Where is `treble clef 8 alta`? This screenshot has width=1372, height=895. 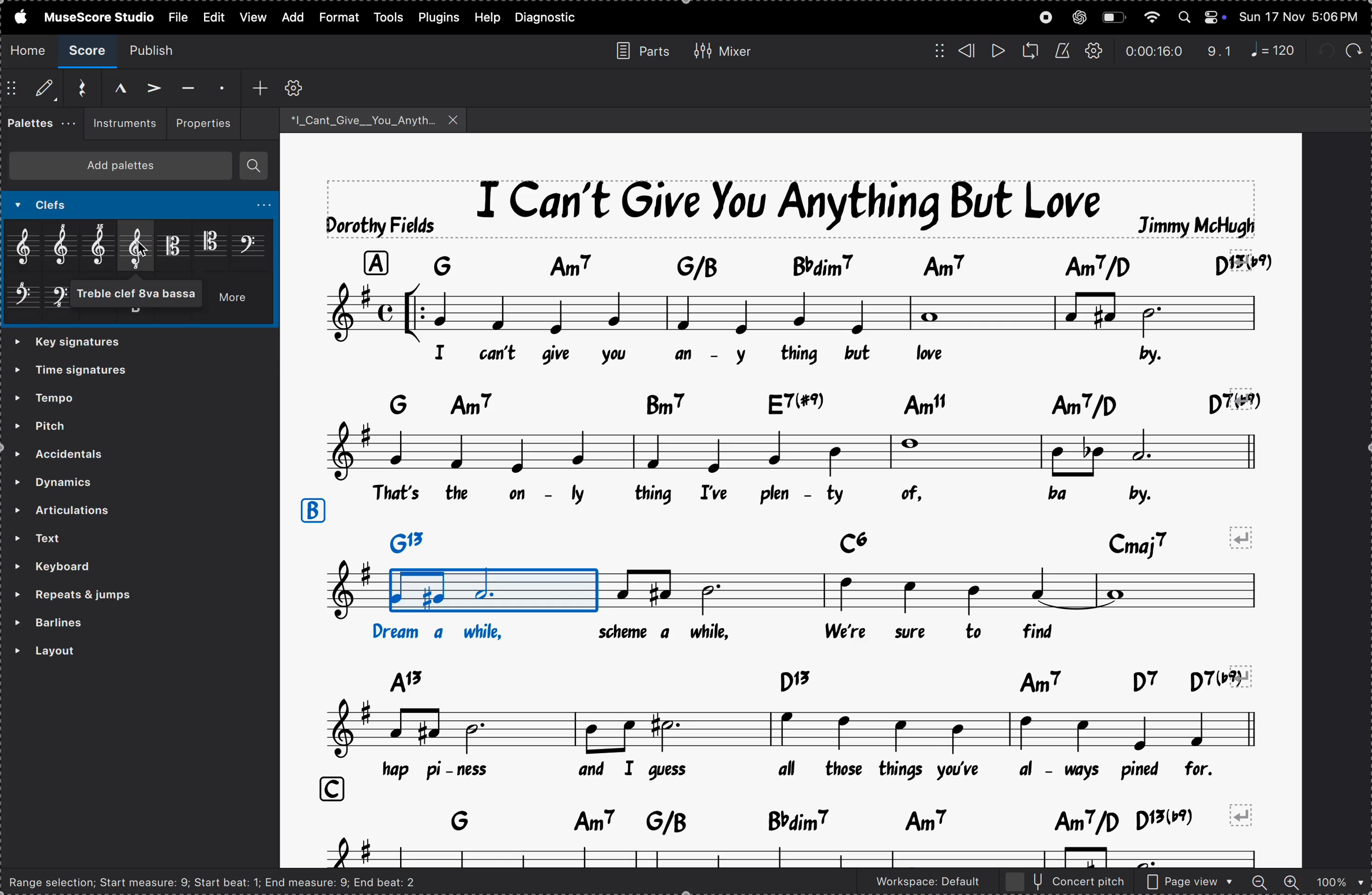
treble clef 8 alta is located at coordinates (66, 246).